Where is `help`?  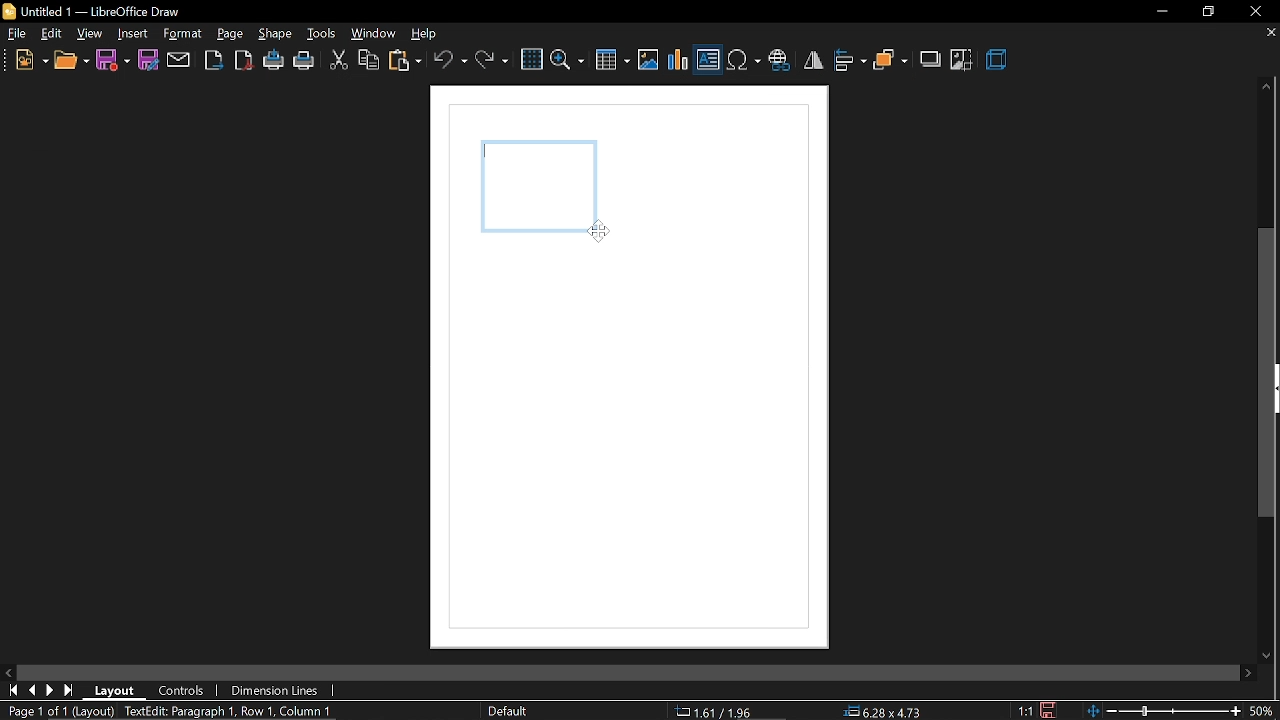 help is located at coordinates (429, 35).